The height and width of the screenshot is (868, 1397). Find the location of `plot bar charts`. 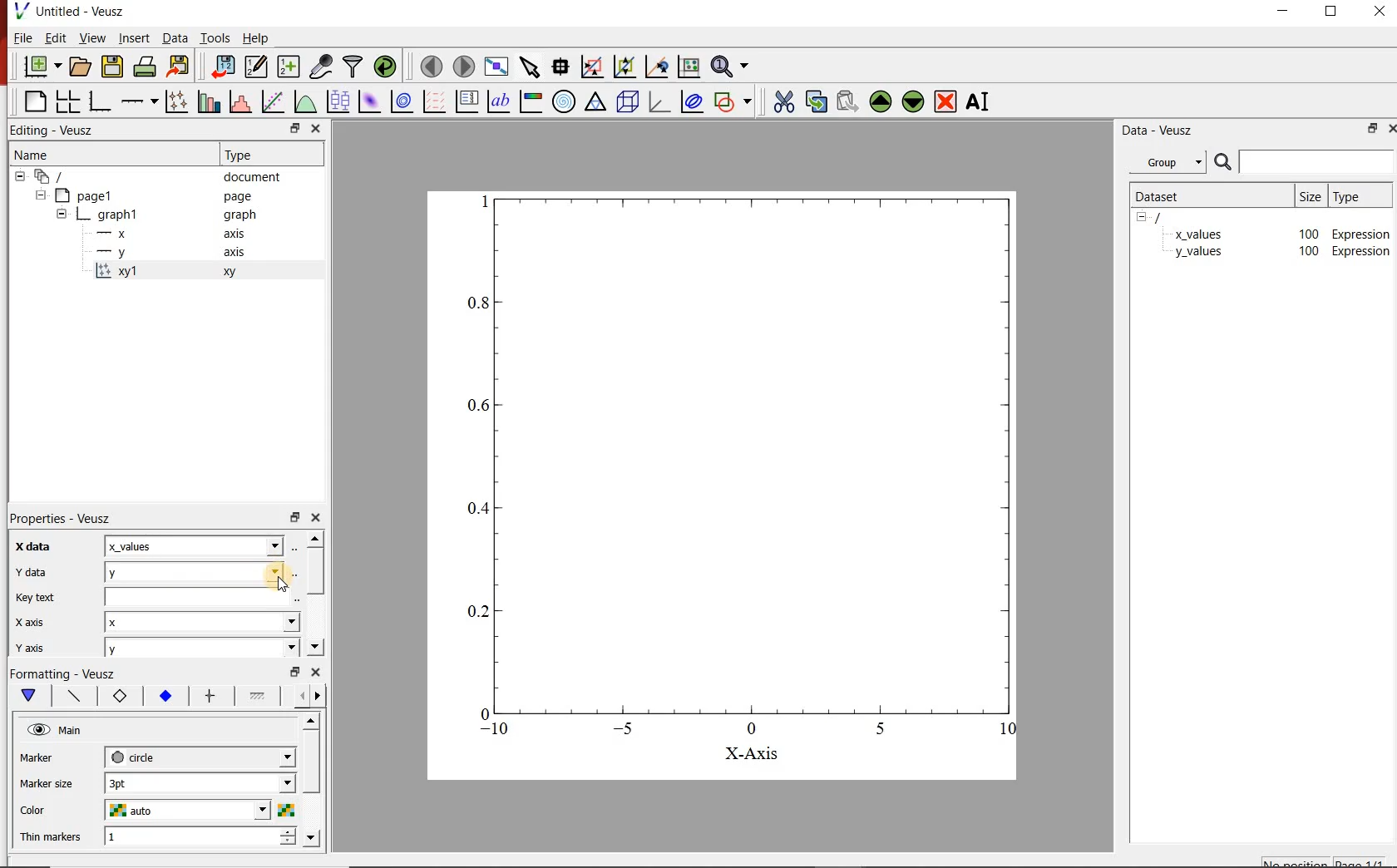

plot bar charts is located at coordinates (209, 101).